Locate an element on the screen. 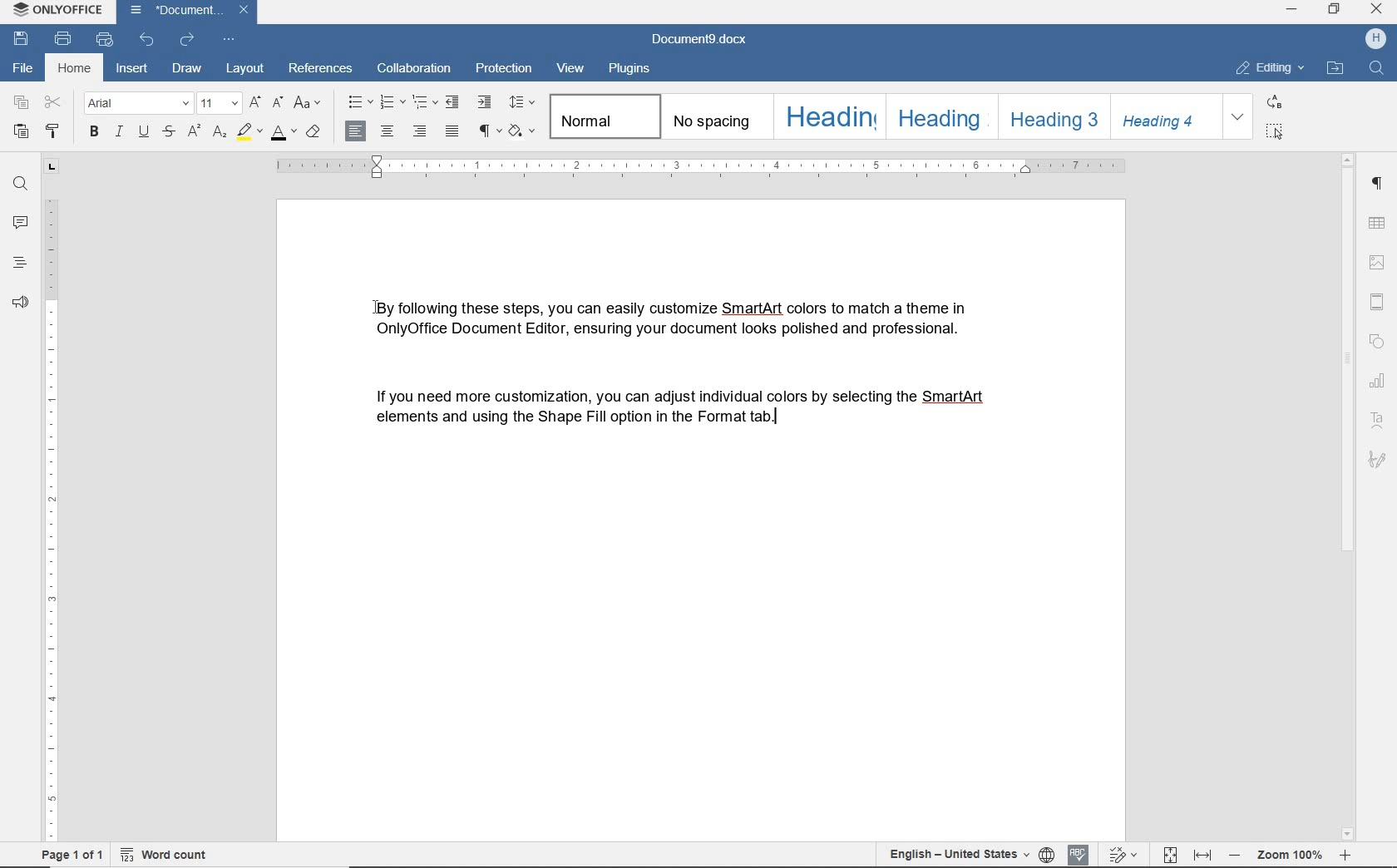 This screenshot has width=1397, height=868. plugins is located at coordinates (636, 69).